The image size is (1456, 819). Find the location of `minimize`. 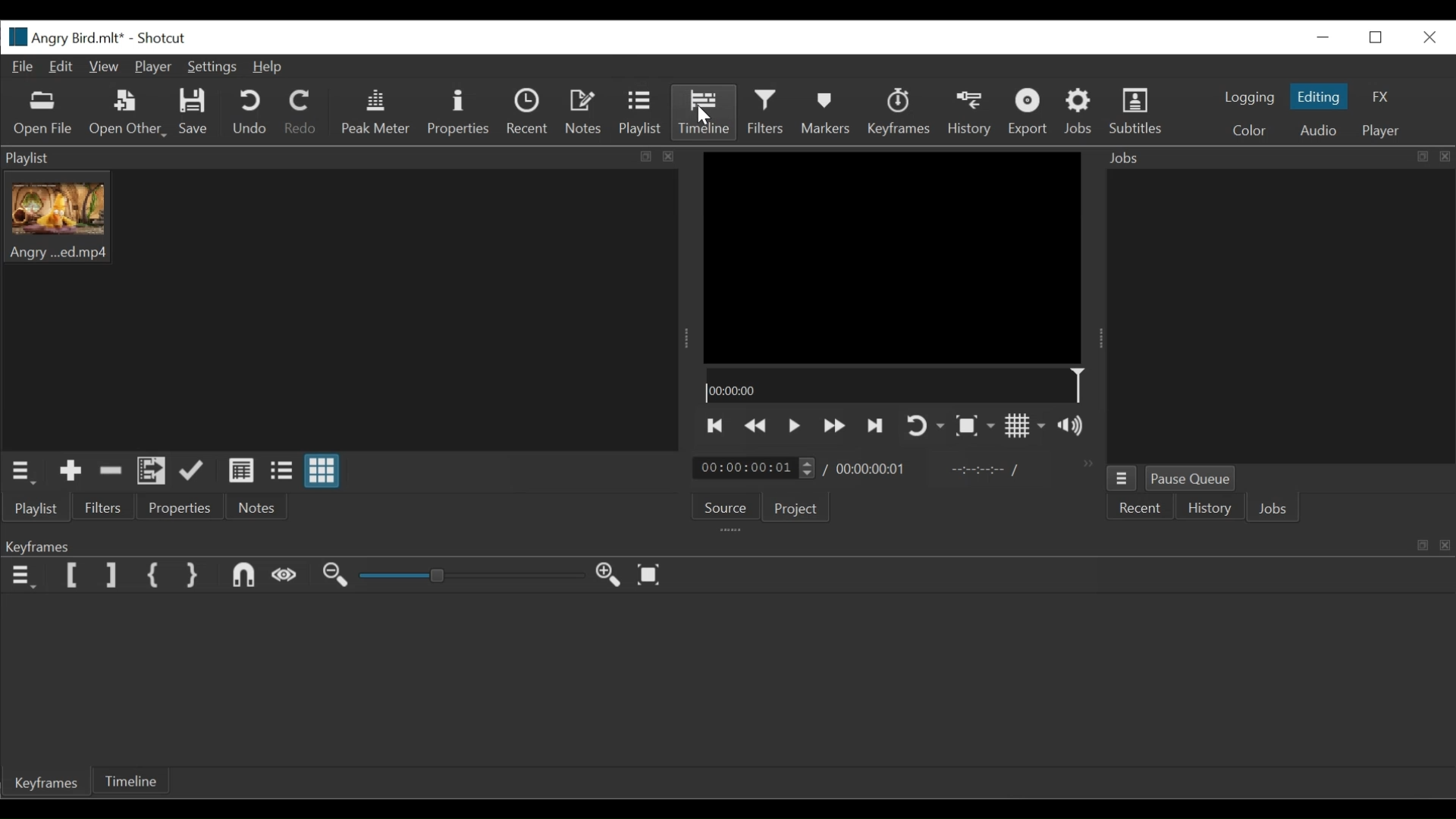

minimize is located at coordinates (1323, 37).